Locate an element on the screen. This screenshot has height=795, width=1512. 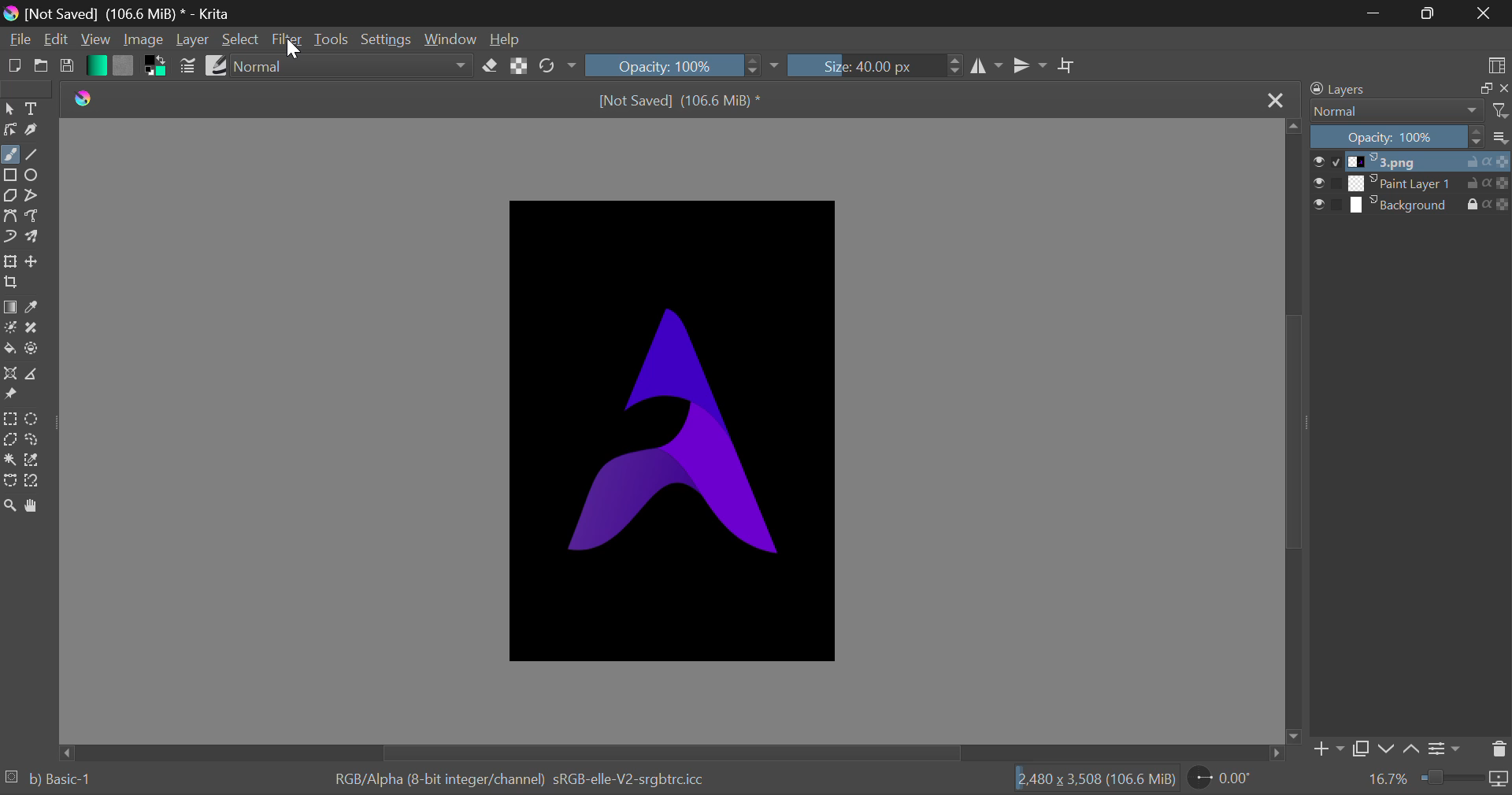
Rectangle Selection is located at coordinates (9, 419).